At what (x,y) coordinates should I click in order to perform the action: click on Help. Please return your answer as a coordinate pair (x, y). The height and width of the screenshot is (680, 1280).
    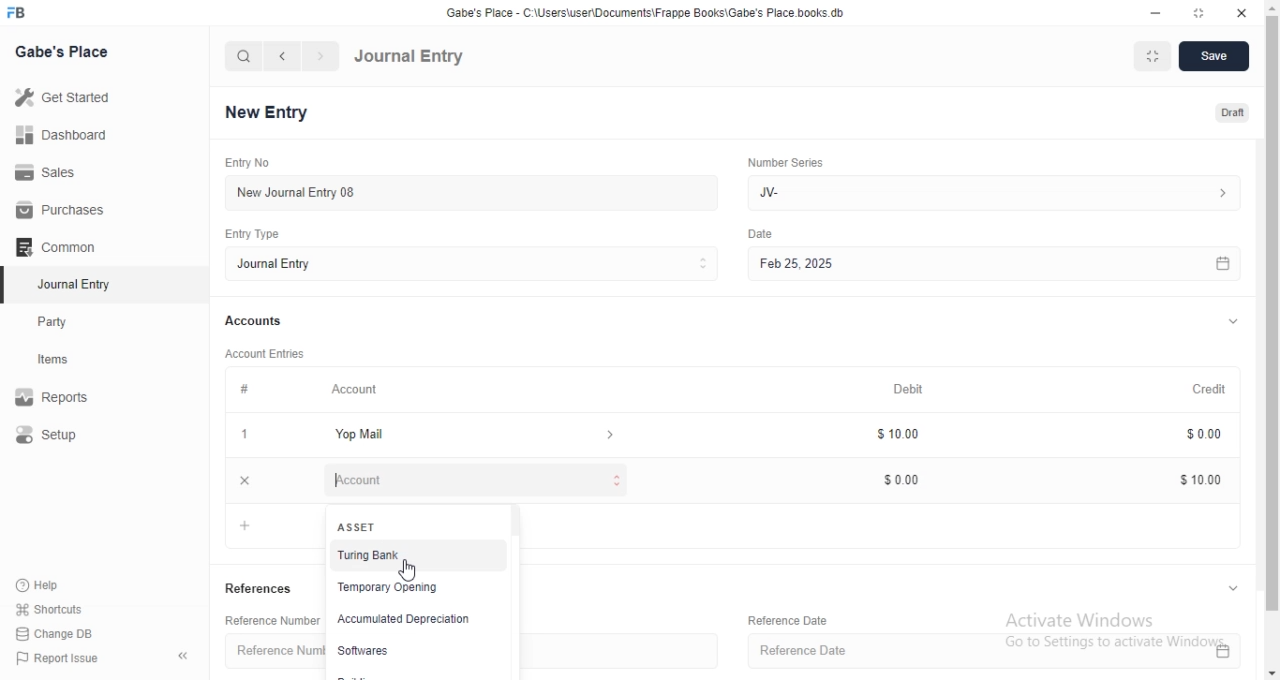
    Looking at the image, I should click on (63, 584).